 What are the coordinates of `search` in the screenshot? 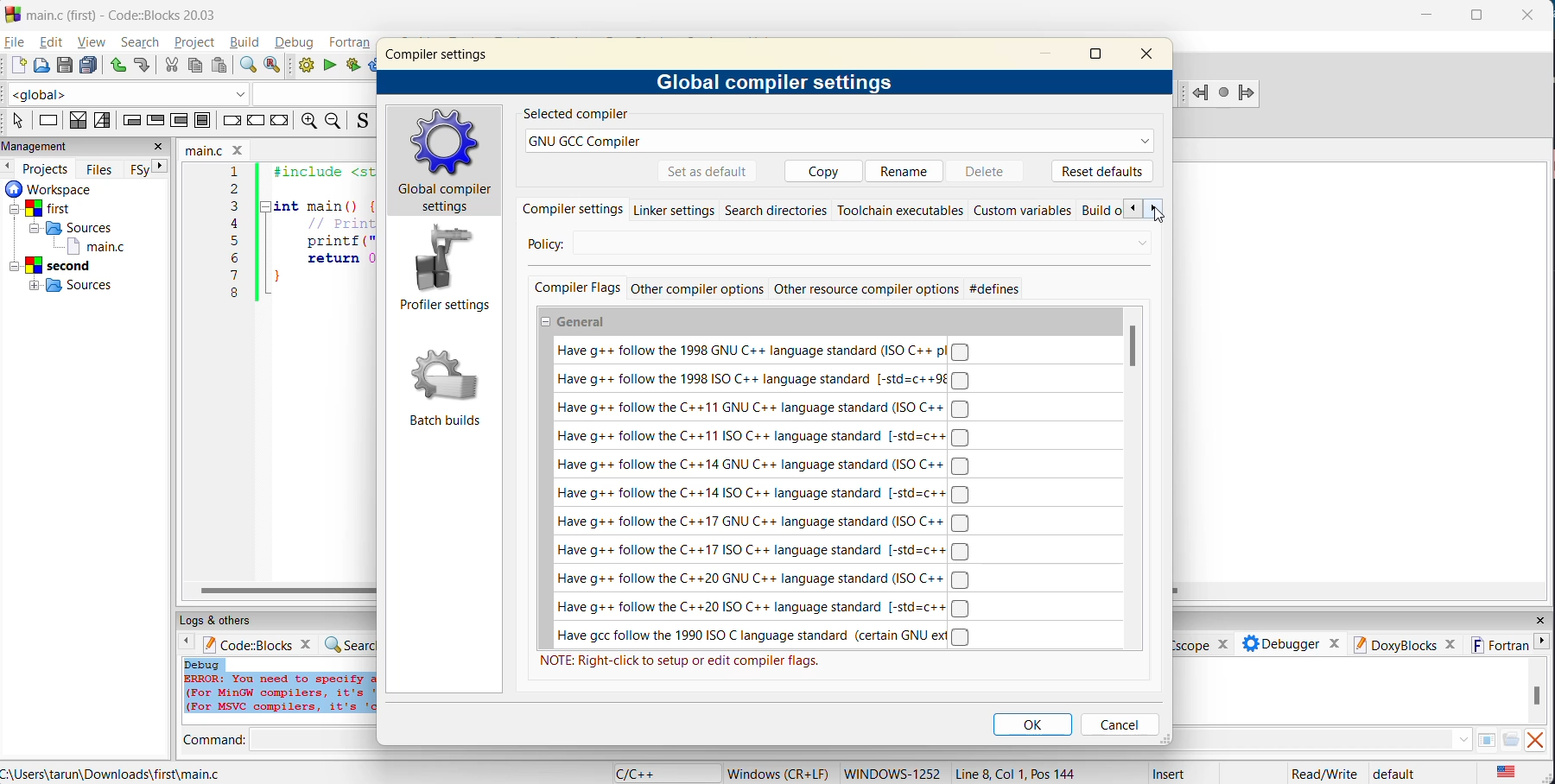 It's located at (143, 42).